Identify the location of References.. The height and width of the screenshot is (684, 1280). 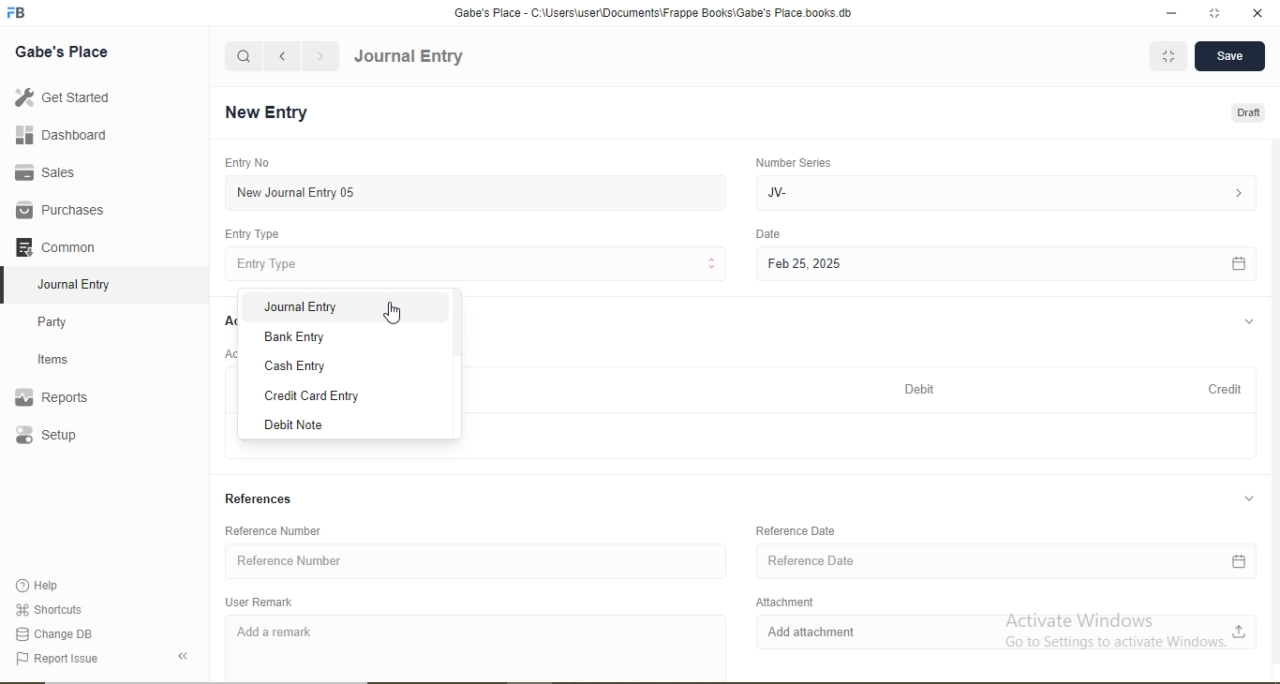
(259, 500).